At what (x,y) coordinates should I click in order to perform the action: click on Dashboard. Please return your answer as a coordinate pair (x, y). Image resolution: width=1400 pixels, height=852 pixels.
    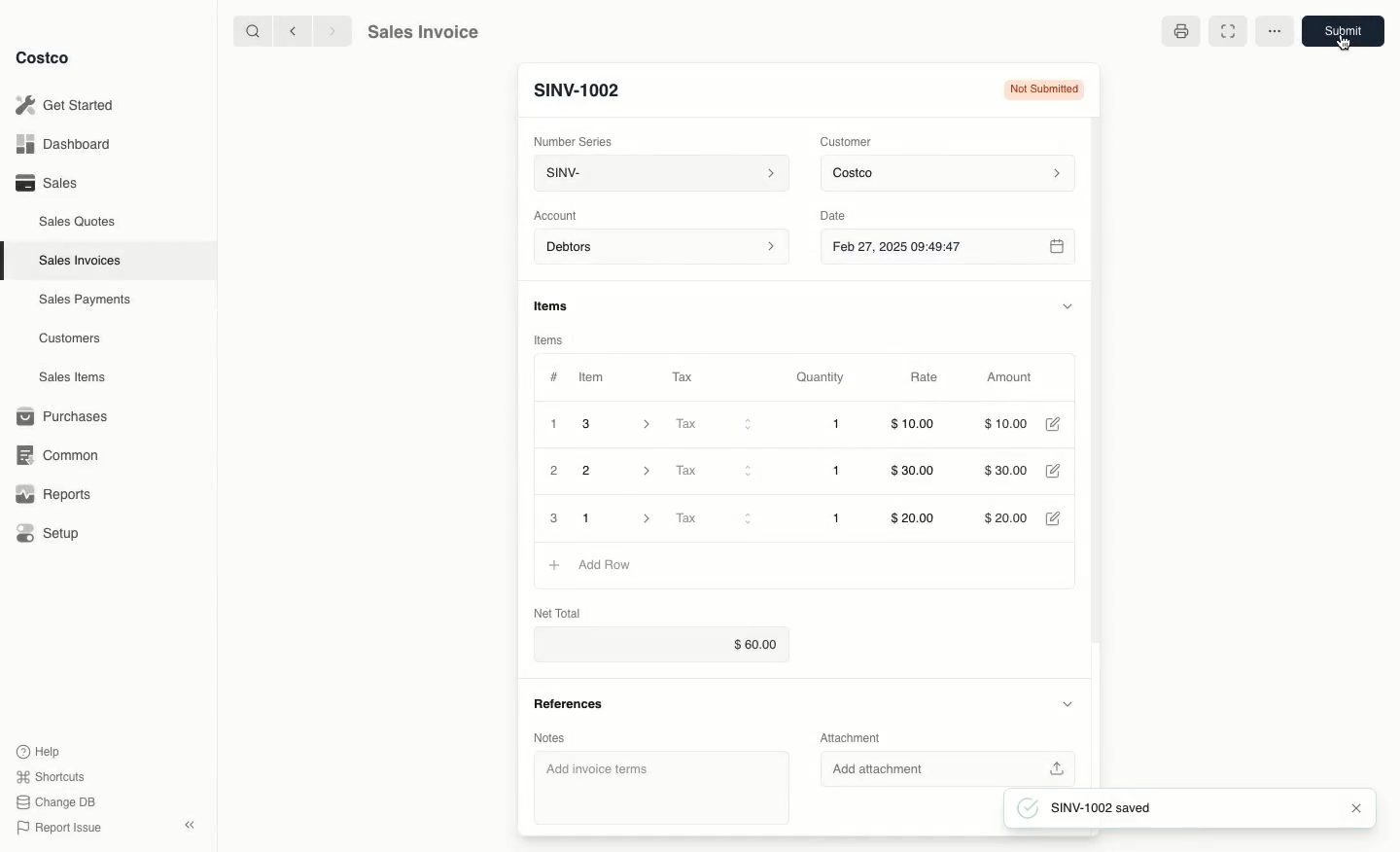
    Looking at the image, I should click on (68, 145).